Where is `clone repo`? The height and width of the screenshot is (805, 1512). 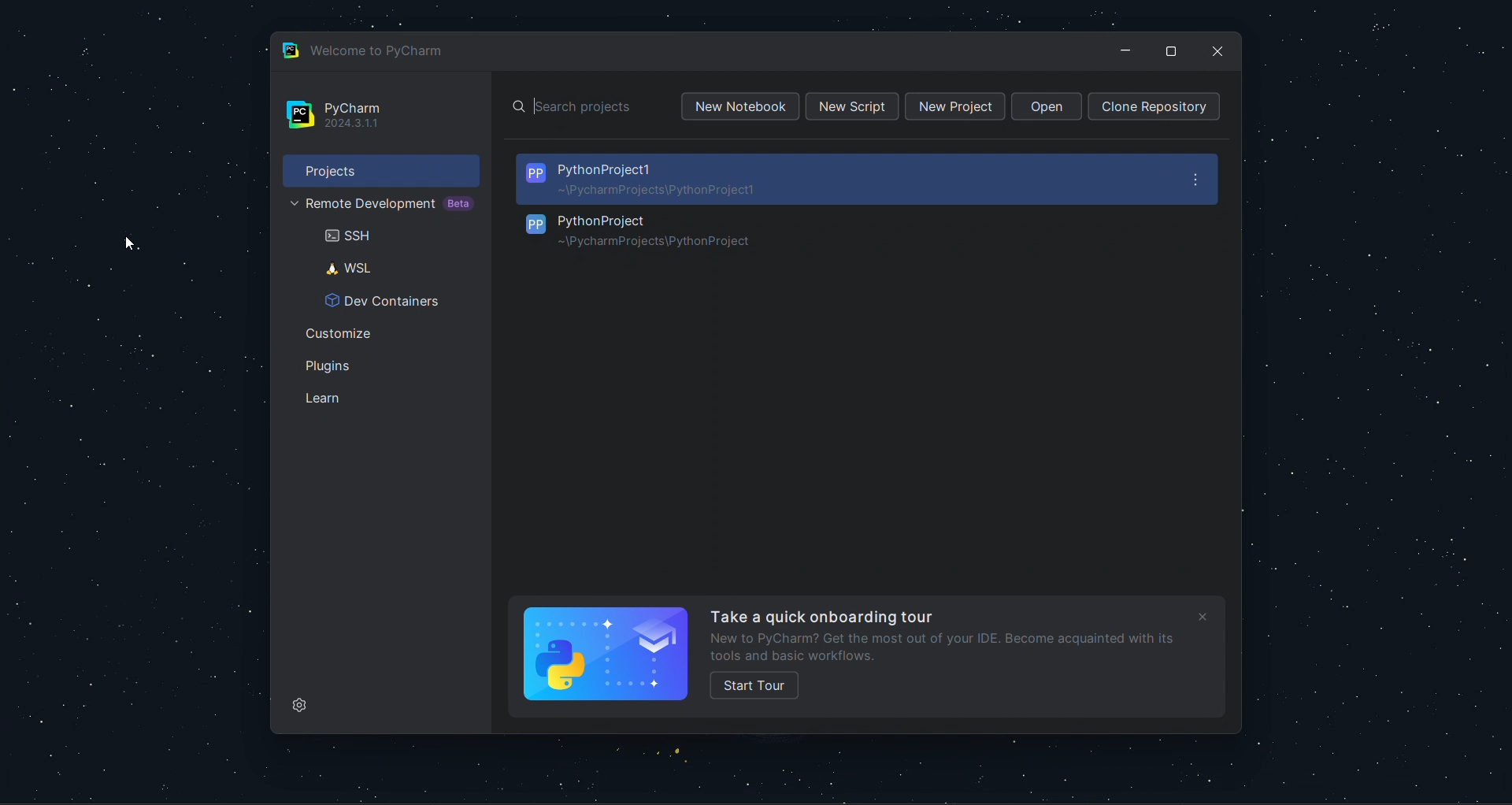 clone repo is located at coordinates (1157, 106).